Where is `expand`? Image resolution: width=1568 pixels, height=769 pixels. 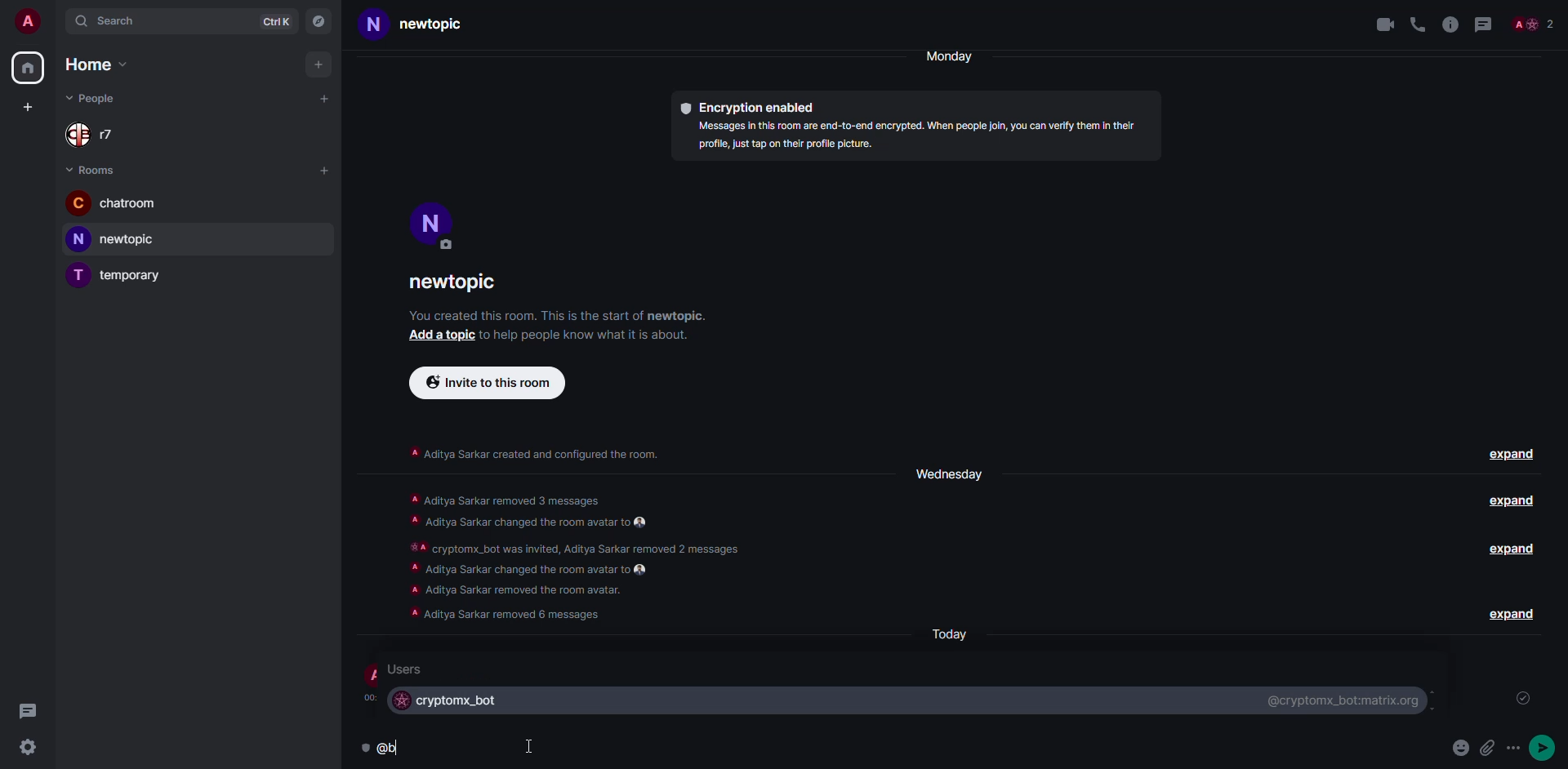
expand is located at coordinates (1517, 549).